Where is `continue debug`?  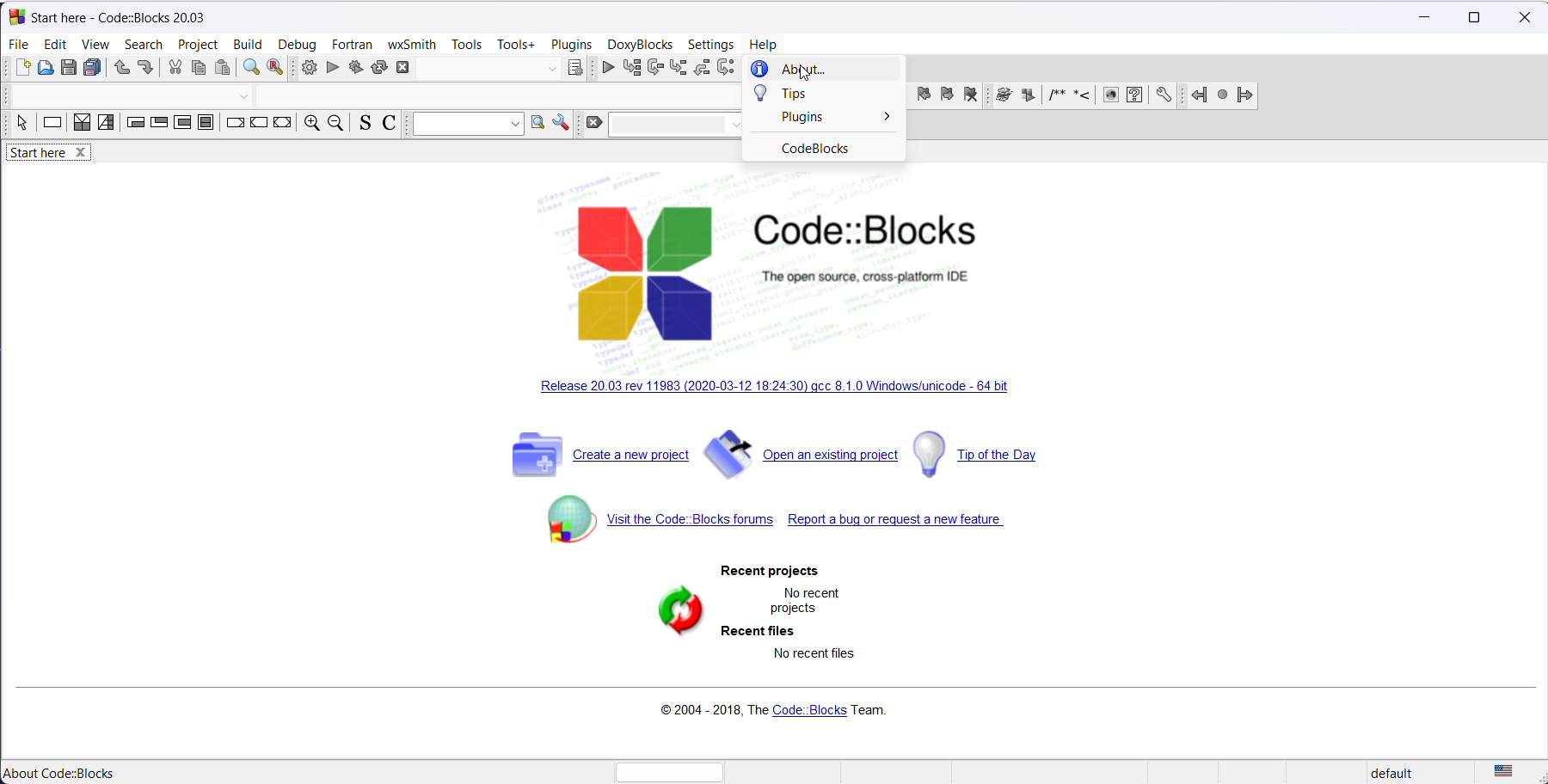
continue debug is located at coordinates (605, 68).